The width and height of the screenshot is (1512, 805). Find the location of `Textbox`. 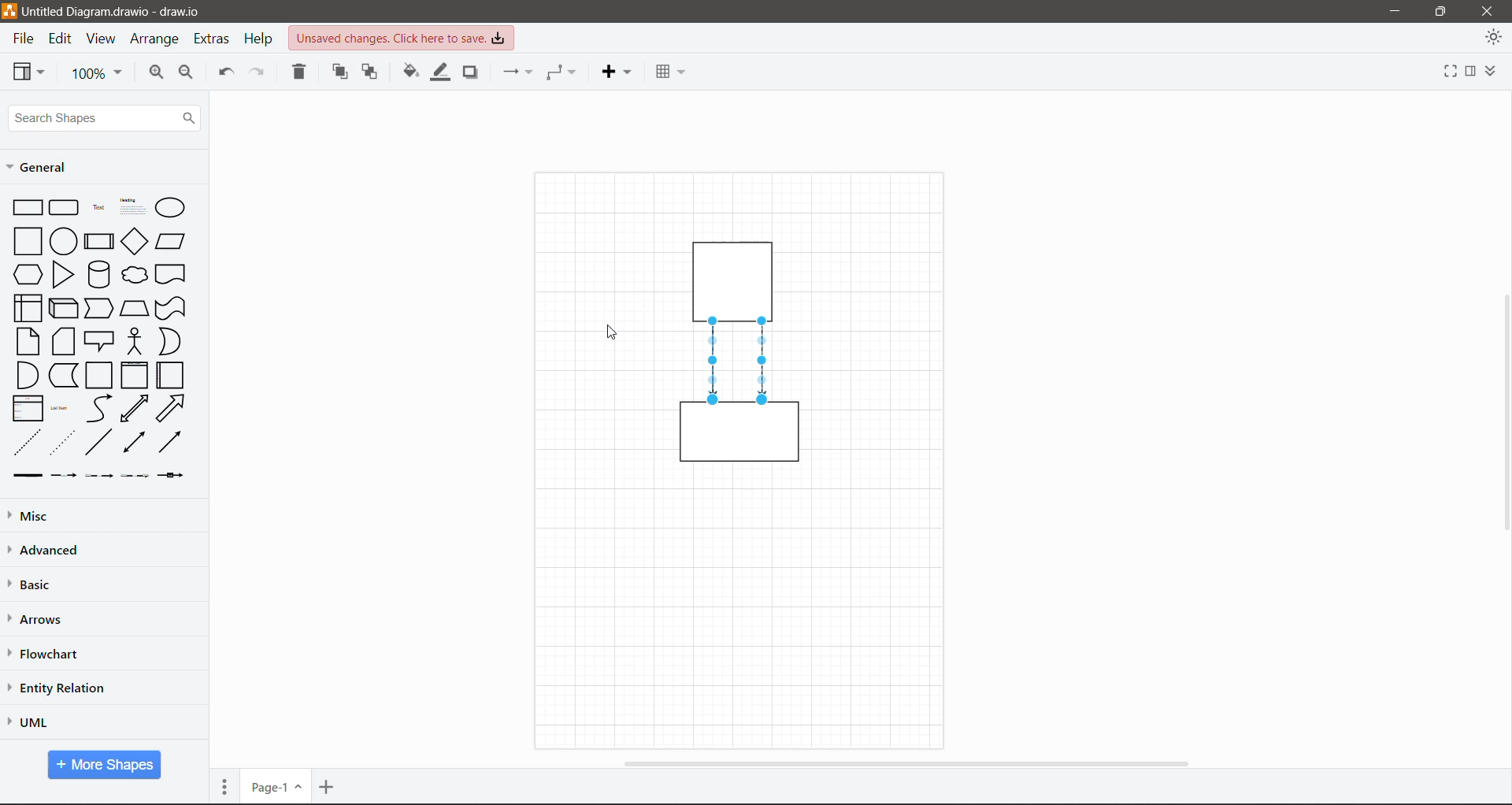

Textbox is located at coordinates (132, 206).